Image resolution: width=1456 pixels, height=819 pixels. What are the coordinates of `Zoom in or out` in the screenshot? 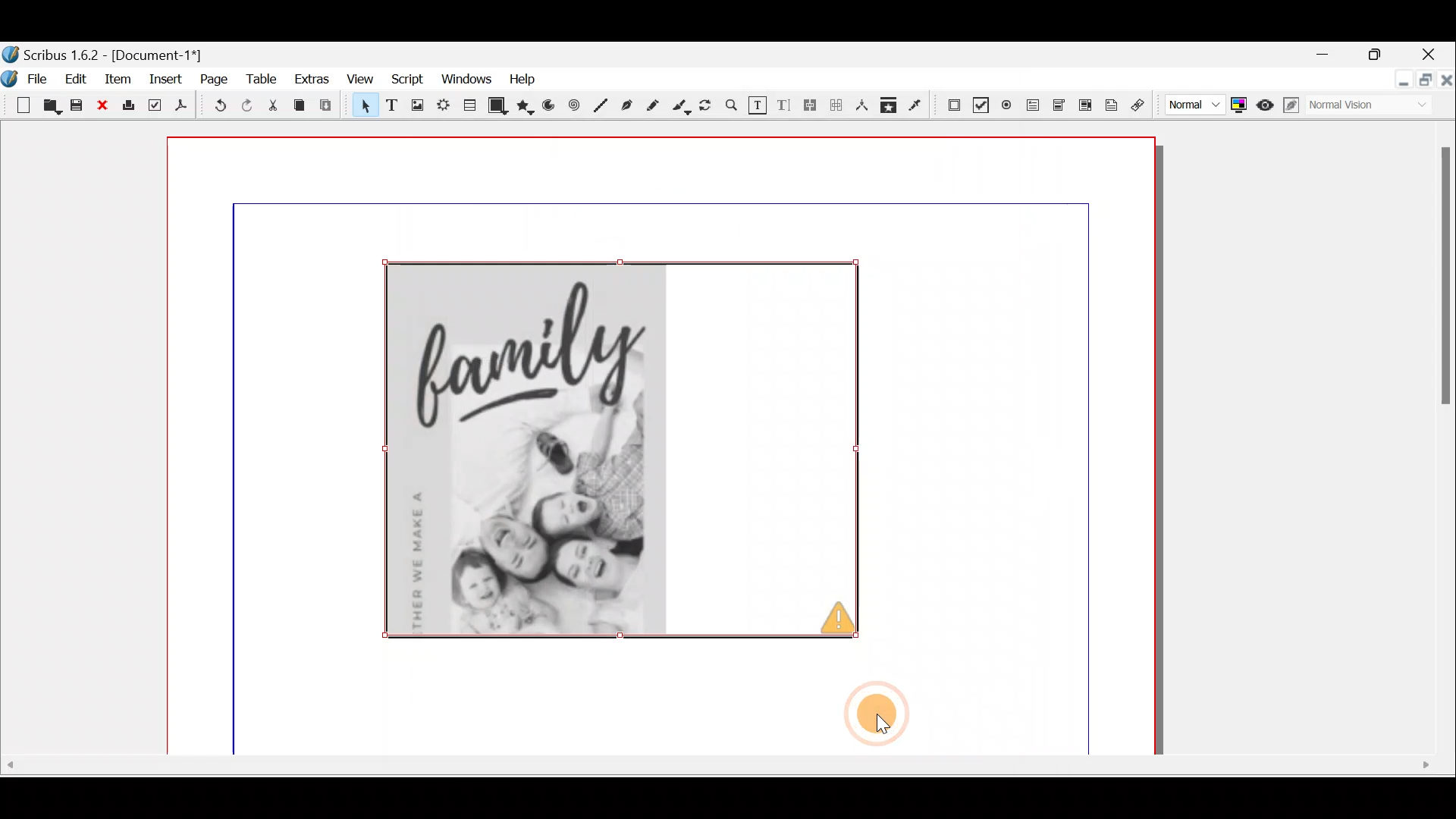 It's located at (730, 102).